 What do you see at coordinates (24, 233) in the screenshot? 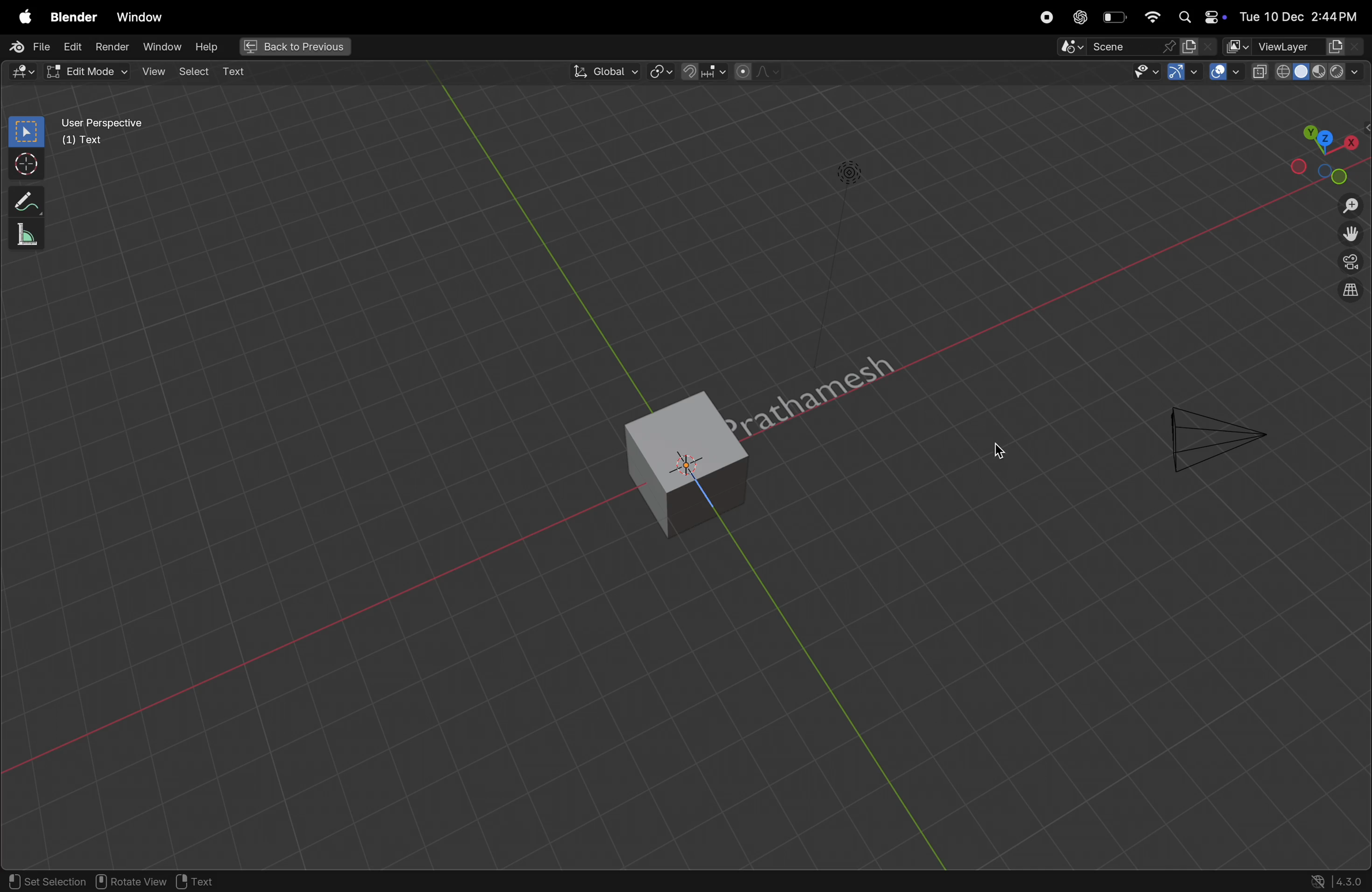
I see `rotate ` at bounding box center [24, 233].